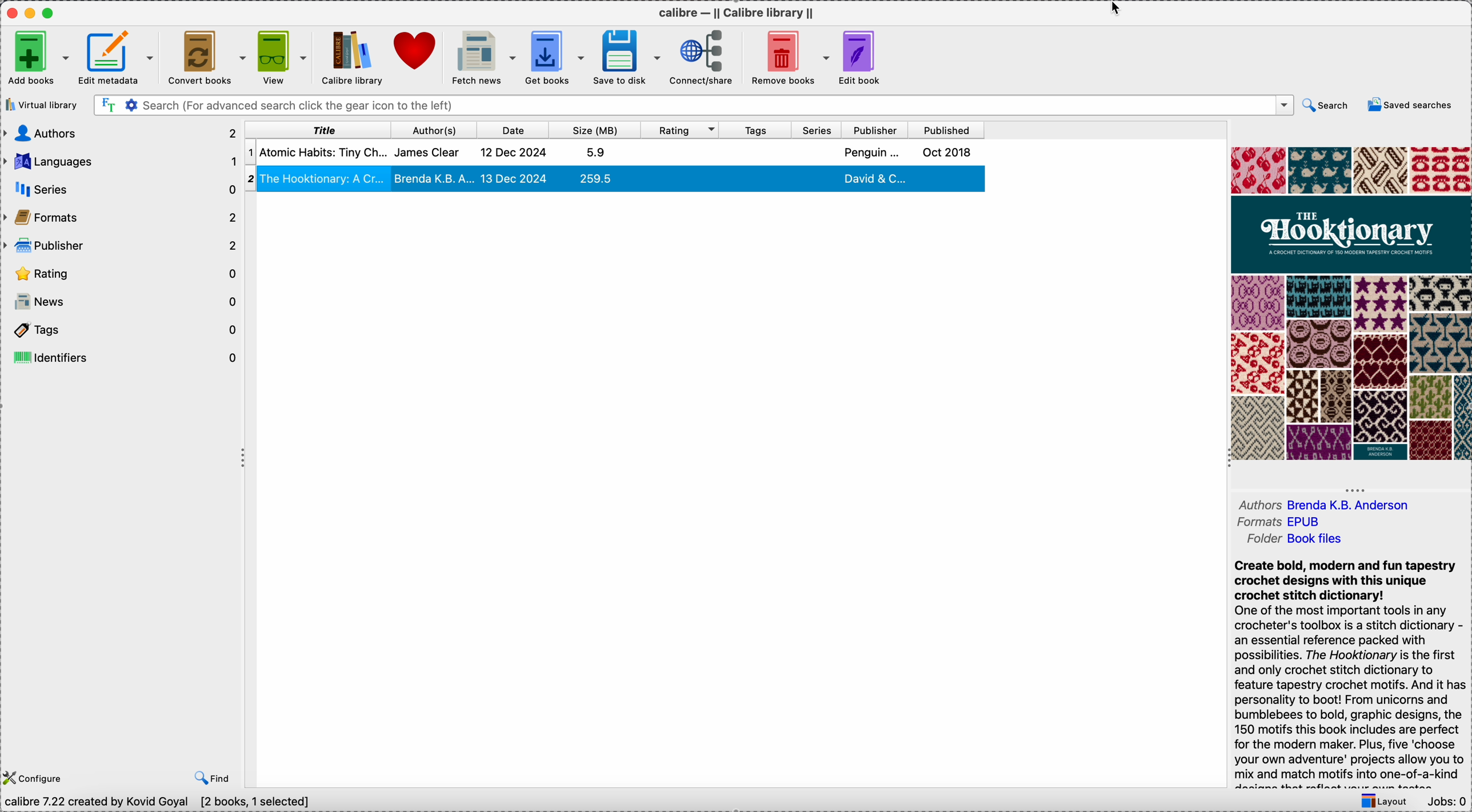 Image resolution: width=1472 pixels, height=812 pixels. What do you see at coordinates (122, 162) in the screenshot?
I see `languages` at bounding box center [122, 162].